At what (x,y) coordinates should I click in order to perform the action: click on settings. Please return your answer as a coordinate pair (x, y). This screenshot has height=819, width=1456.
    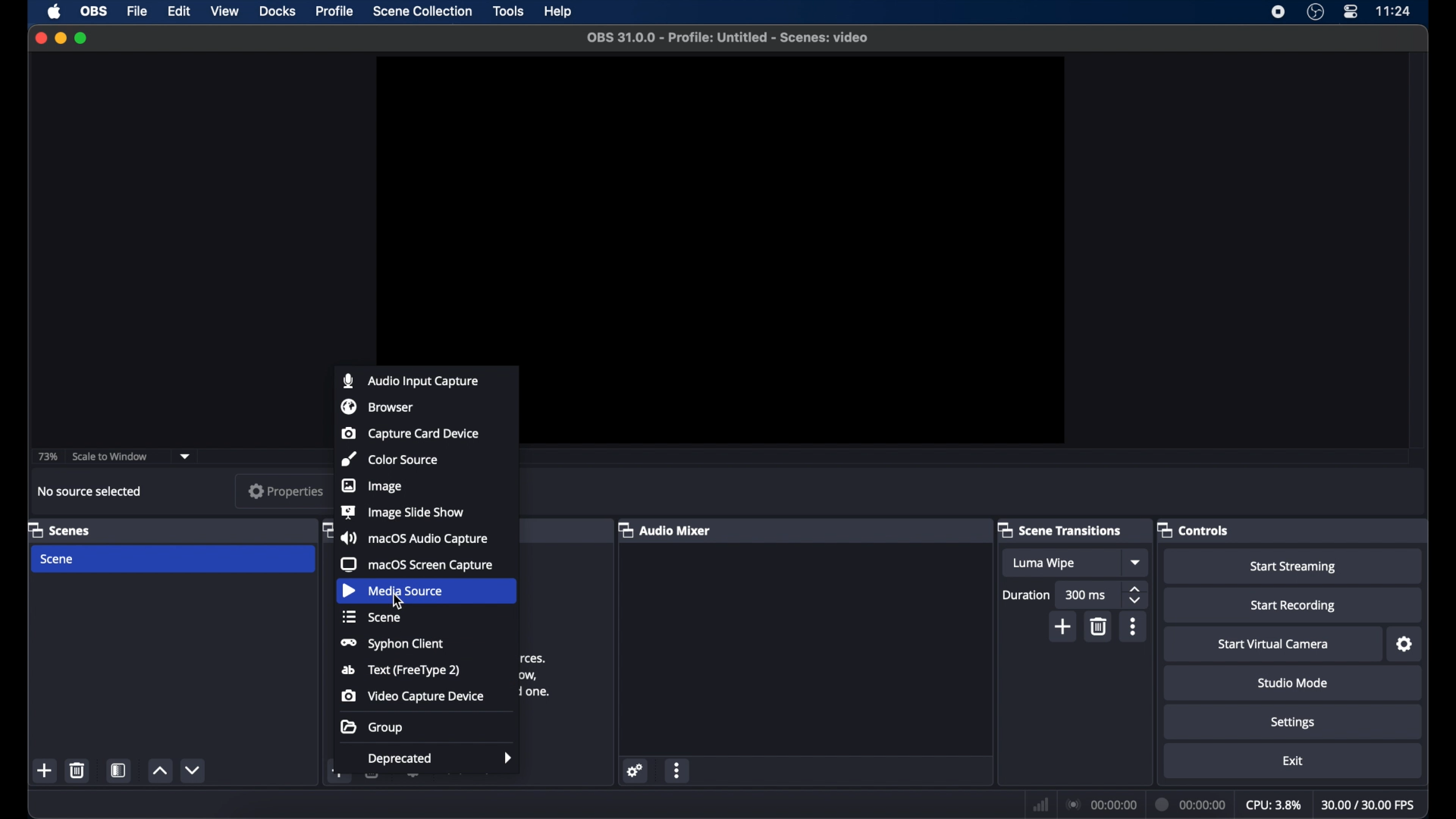
    Looking at the image, I should click on (1294, 723).